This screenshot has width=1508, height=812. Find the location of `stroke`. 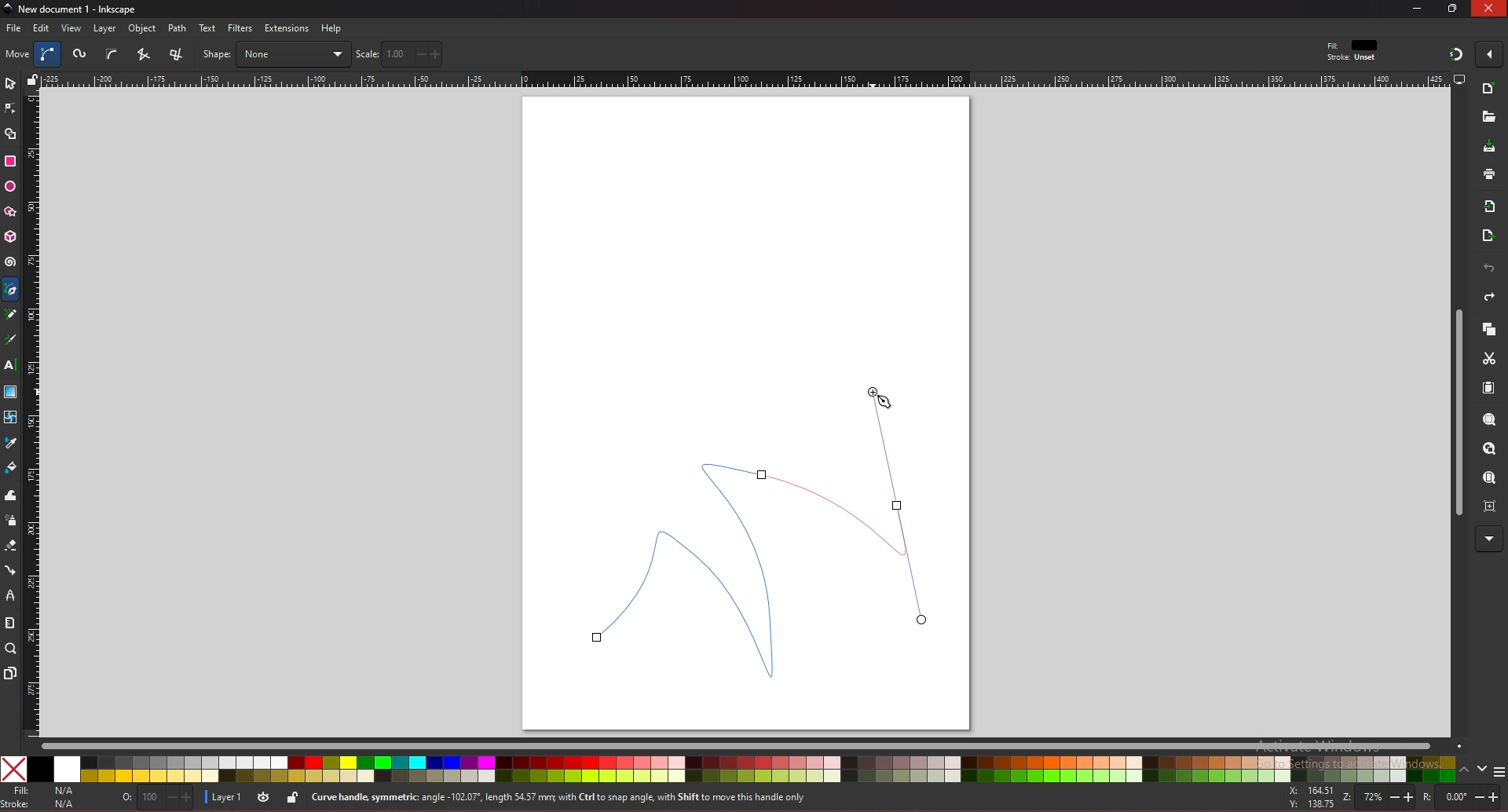

stroke is located at coordinates (42, 804).